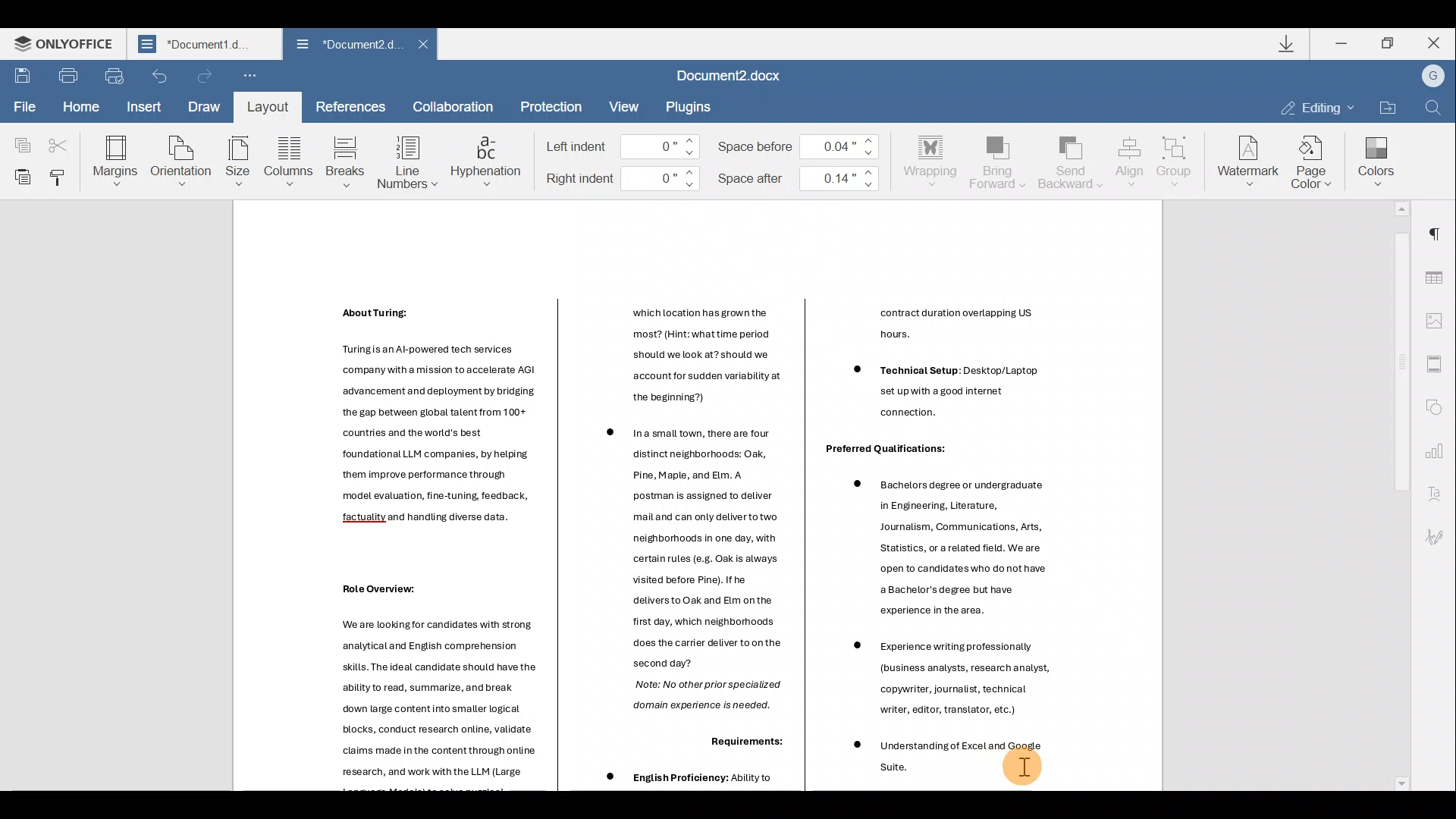 This screenshot has height=819, width=1456. What do you see at coordinates (182, 159) in the screenshot?
I see `Orientation` at bounding box center [182, 159].